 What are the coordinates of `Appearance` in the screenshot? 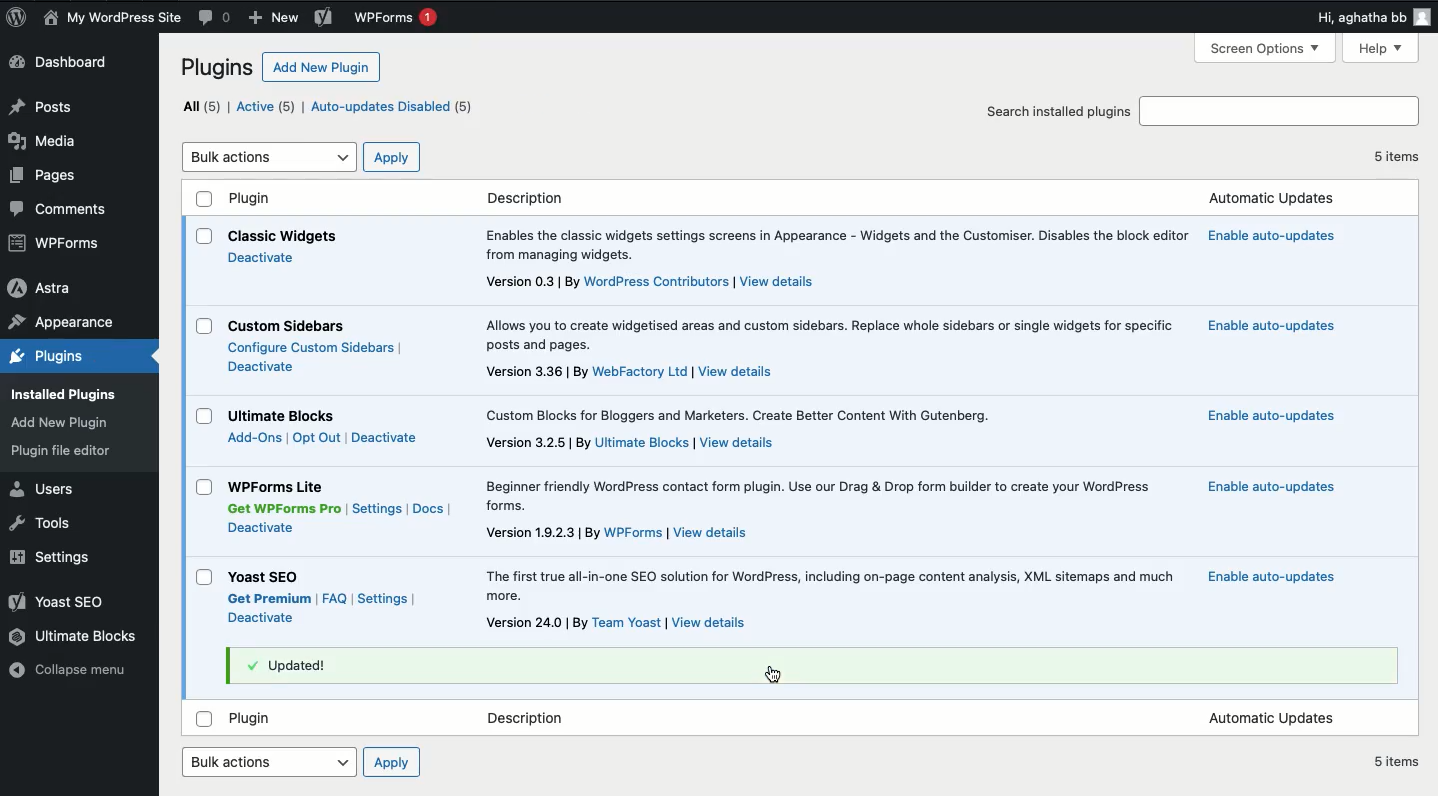 It's located at (59, 323).